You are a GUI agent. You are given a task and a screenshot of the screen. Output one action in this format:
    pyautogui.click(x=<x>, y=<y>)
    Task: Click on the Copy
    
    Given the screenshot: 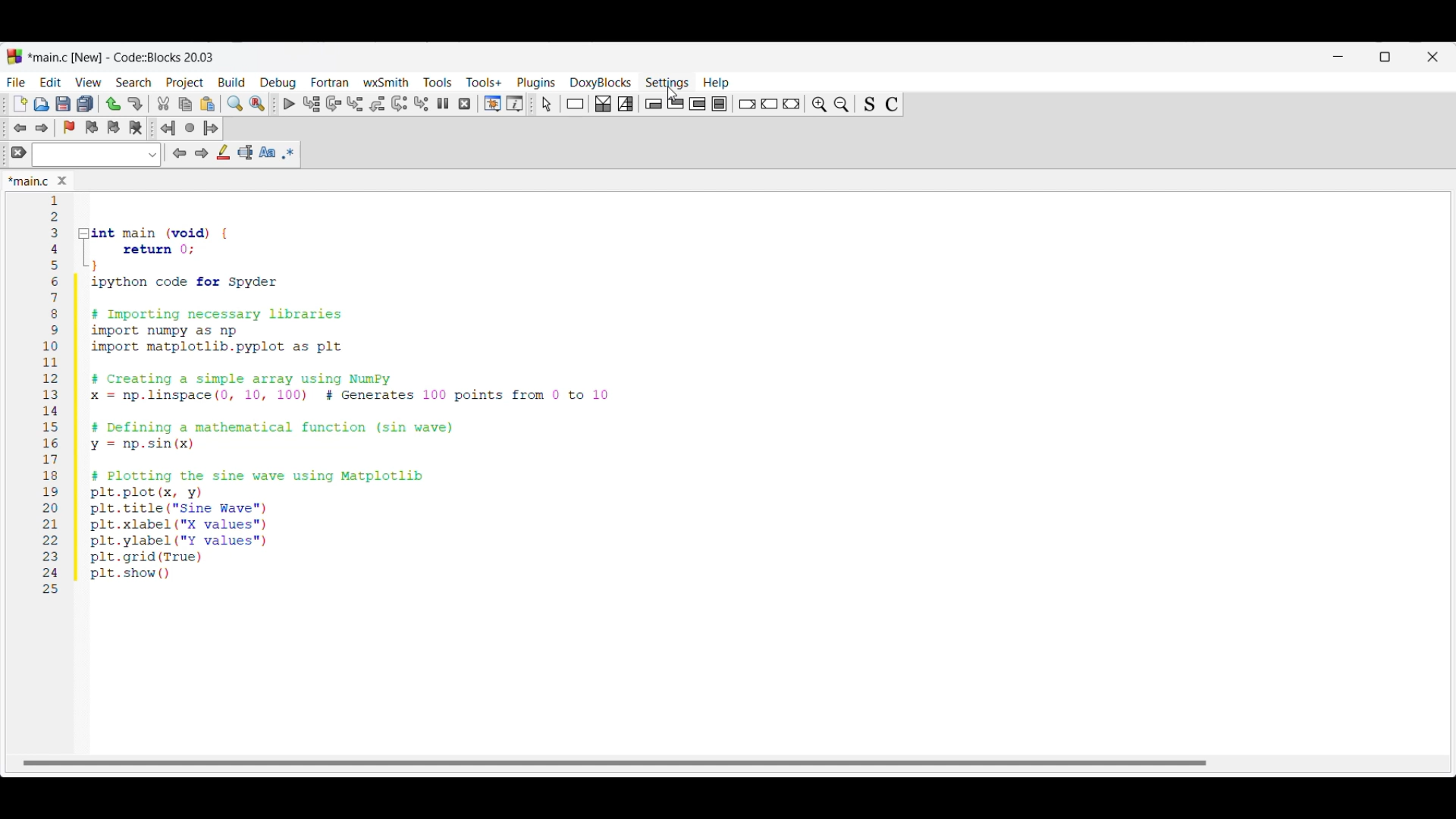 What is the action you would take?
    pyautogui.click(x=185, y=105)
    